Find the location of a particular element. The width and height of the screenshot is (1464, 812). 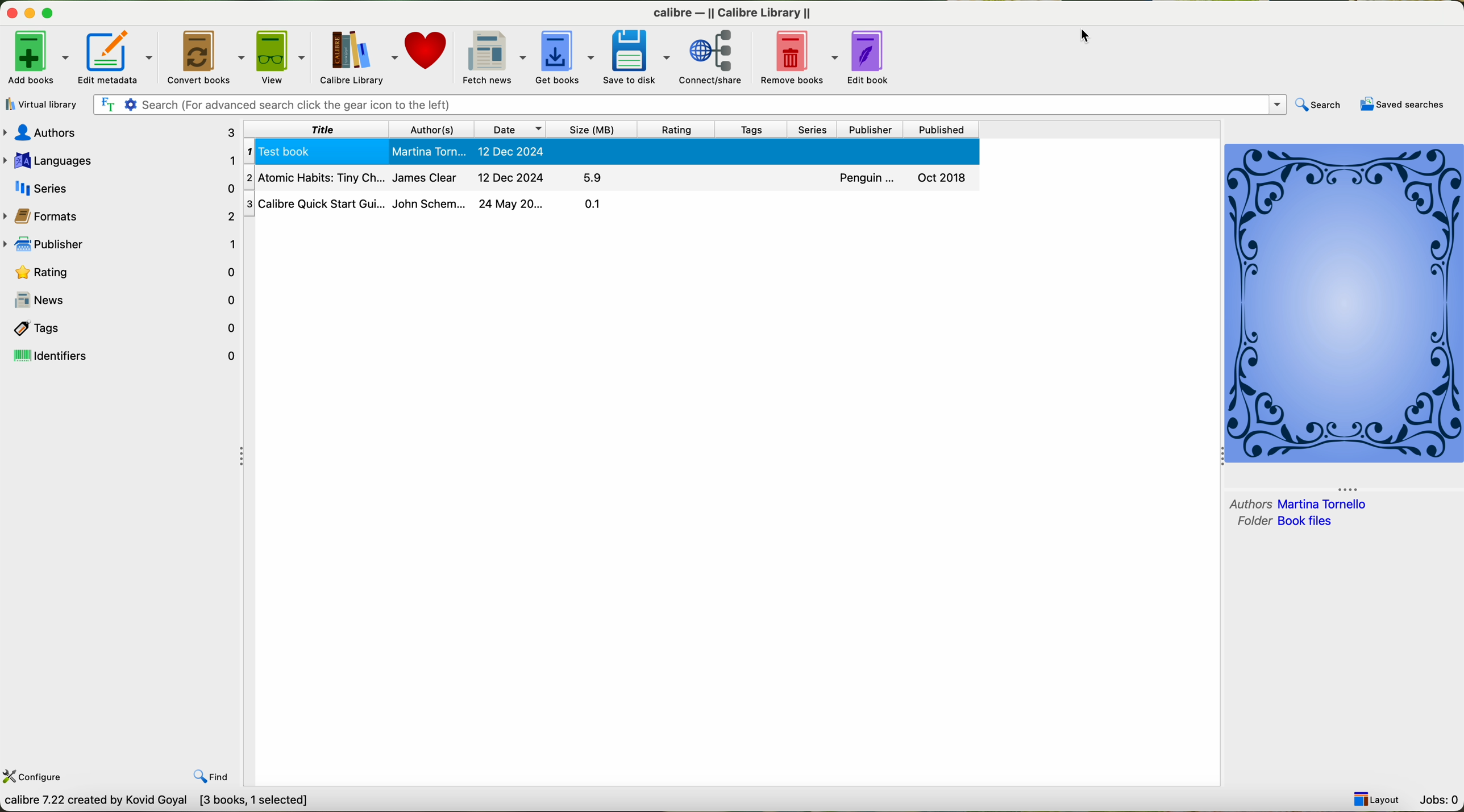

tags is located at coordinates (753, 129).